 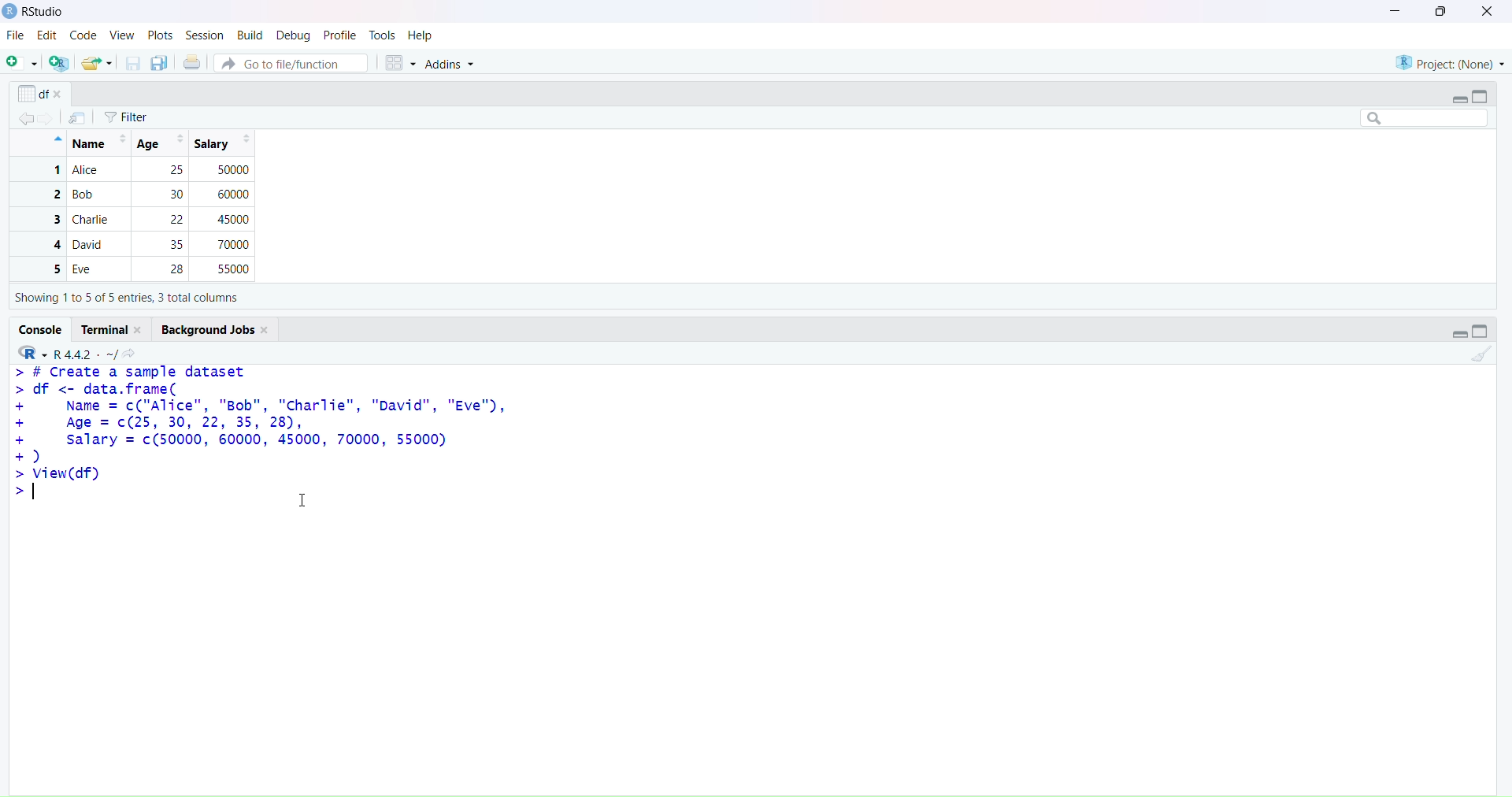 I want to click on expand, so click(x=1452, y=333).